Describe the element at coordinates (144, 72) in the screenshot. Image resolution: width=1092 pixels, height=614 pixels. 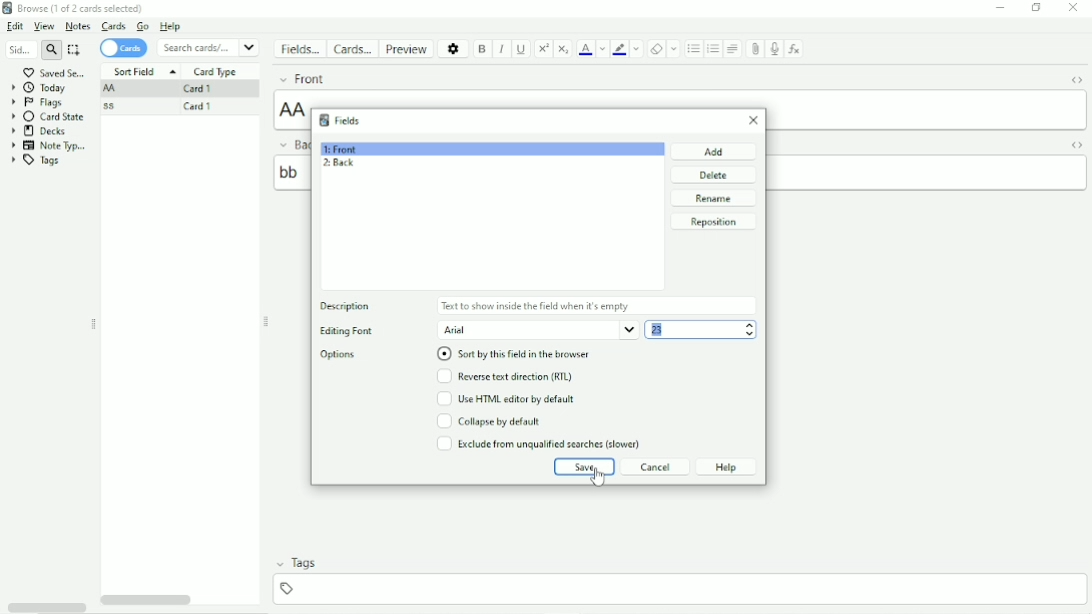
I see `Sort Field` at that location.